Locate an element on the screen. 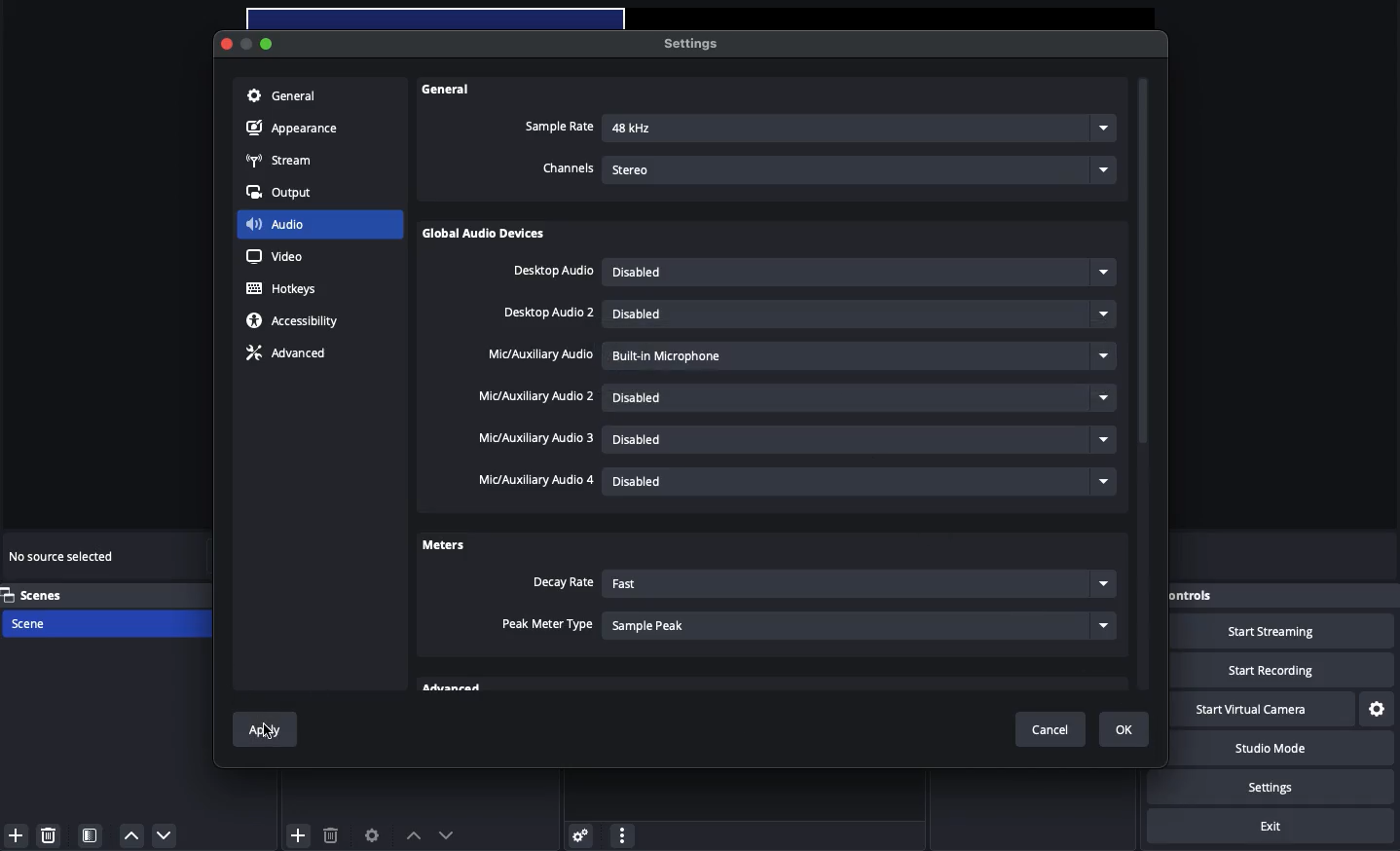 Image resolution: width=1400 pixels, height=851 pixels. Maximize is located at coordinates (269, 43).